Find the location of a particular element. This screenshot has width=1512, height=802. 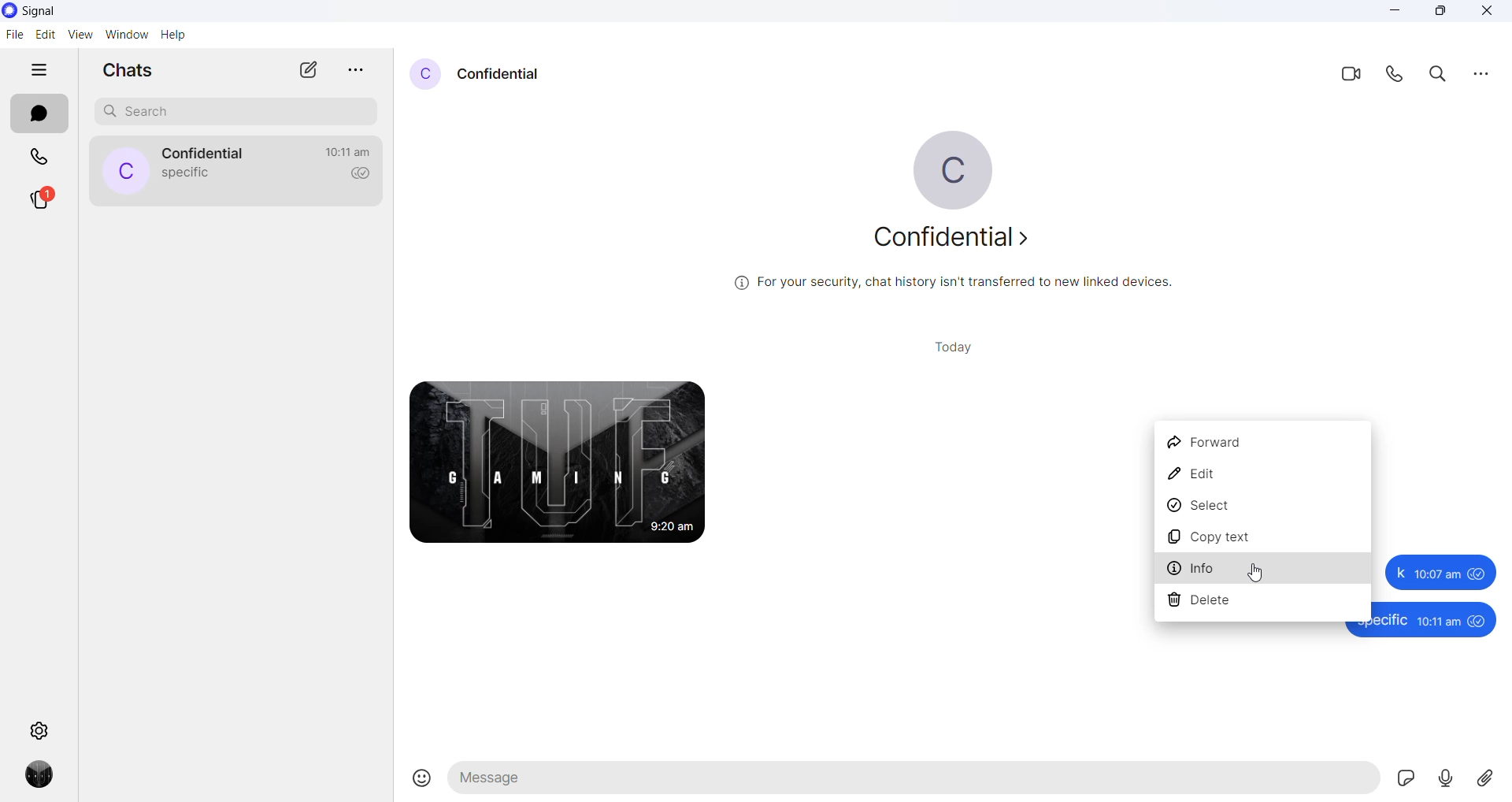

chats is located at coordinates (36, 114).